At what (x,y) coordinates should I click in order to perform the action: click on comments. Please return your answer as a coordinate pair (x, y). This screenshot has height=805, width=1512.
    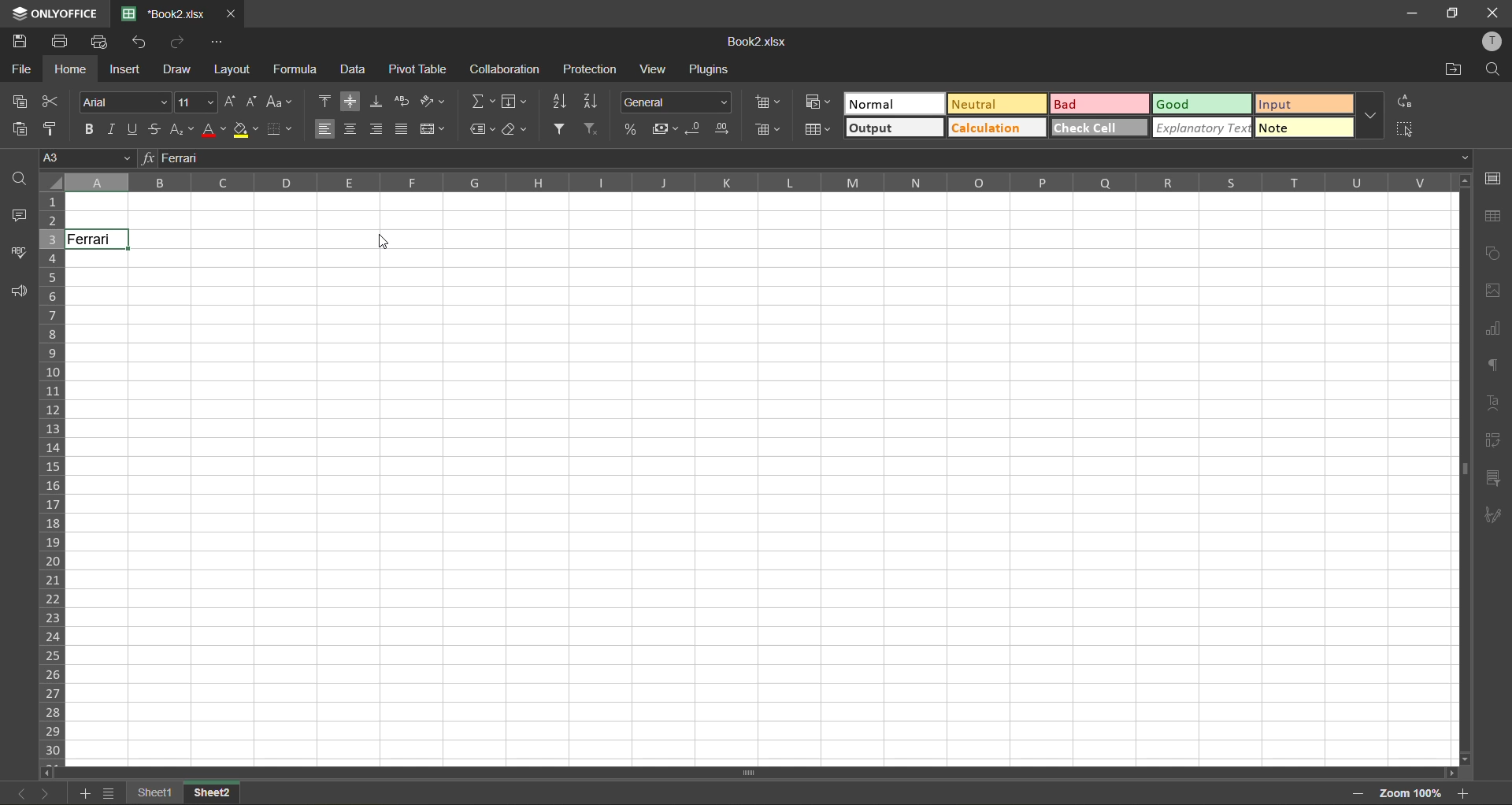
    Looking at the image, I should click on (19, 214).